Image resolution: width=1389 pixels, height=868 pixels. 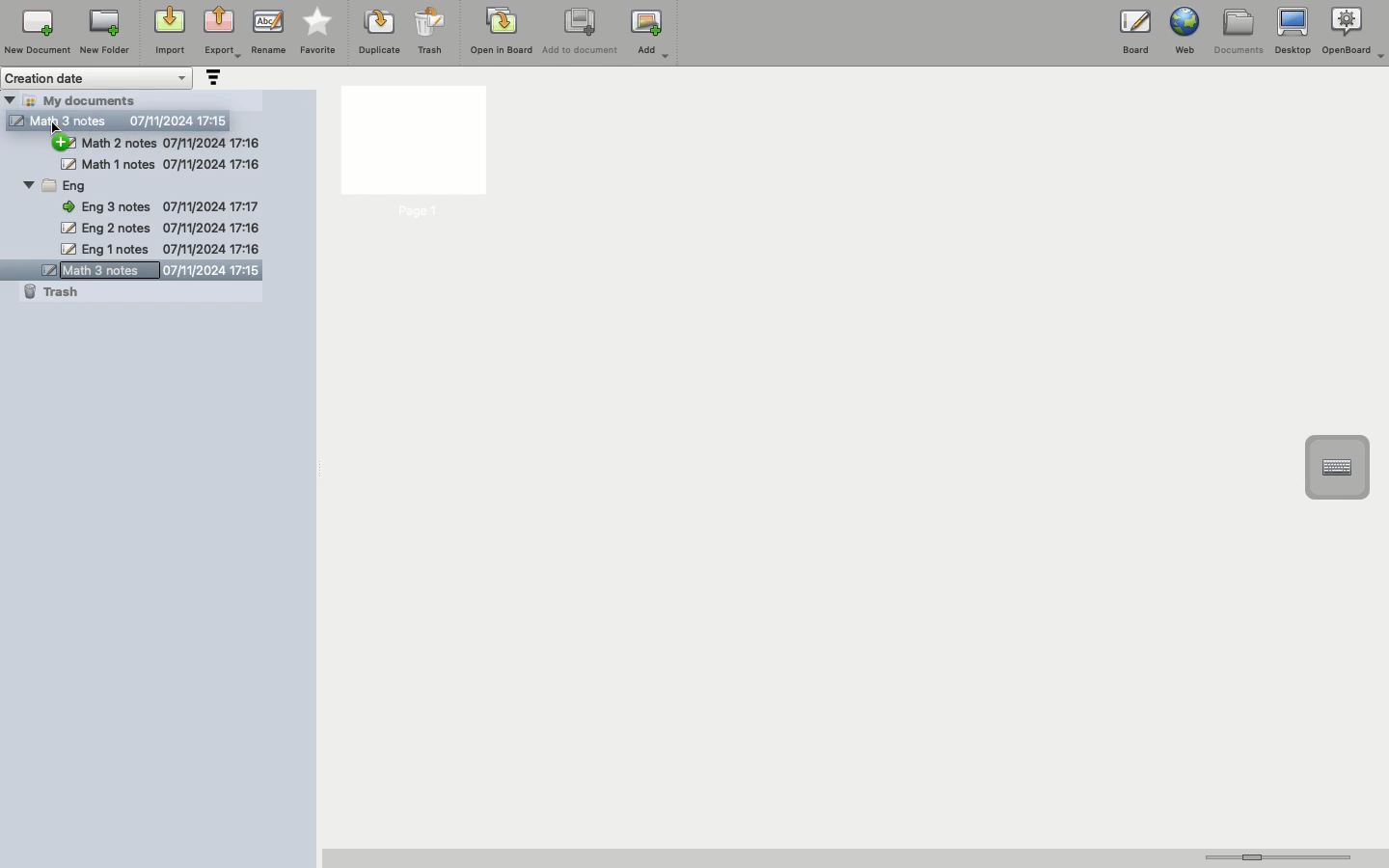 I want to click on Rename, so click(x=268, y=31).